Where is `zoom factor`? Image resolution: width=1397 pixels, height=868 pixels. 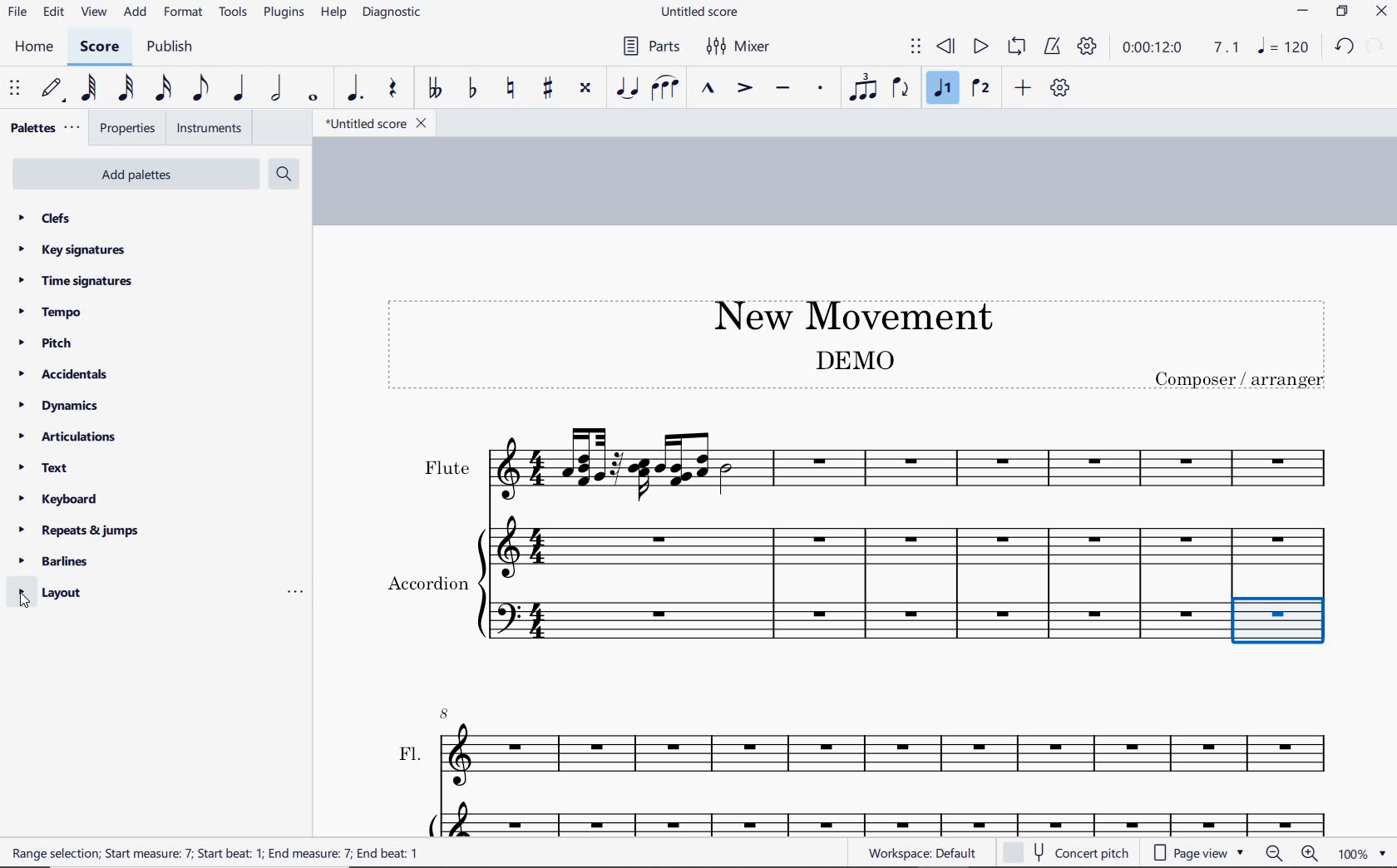
zoom factor is located at coordinates (1362, 853).